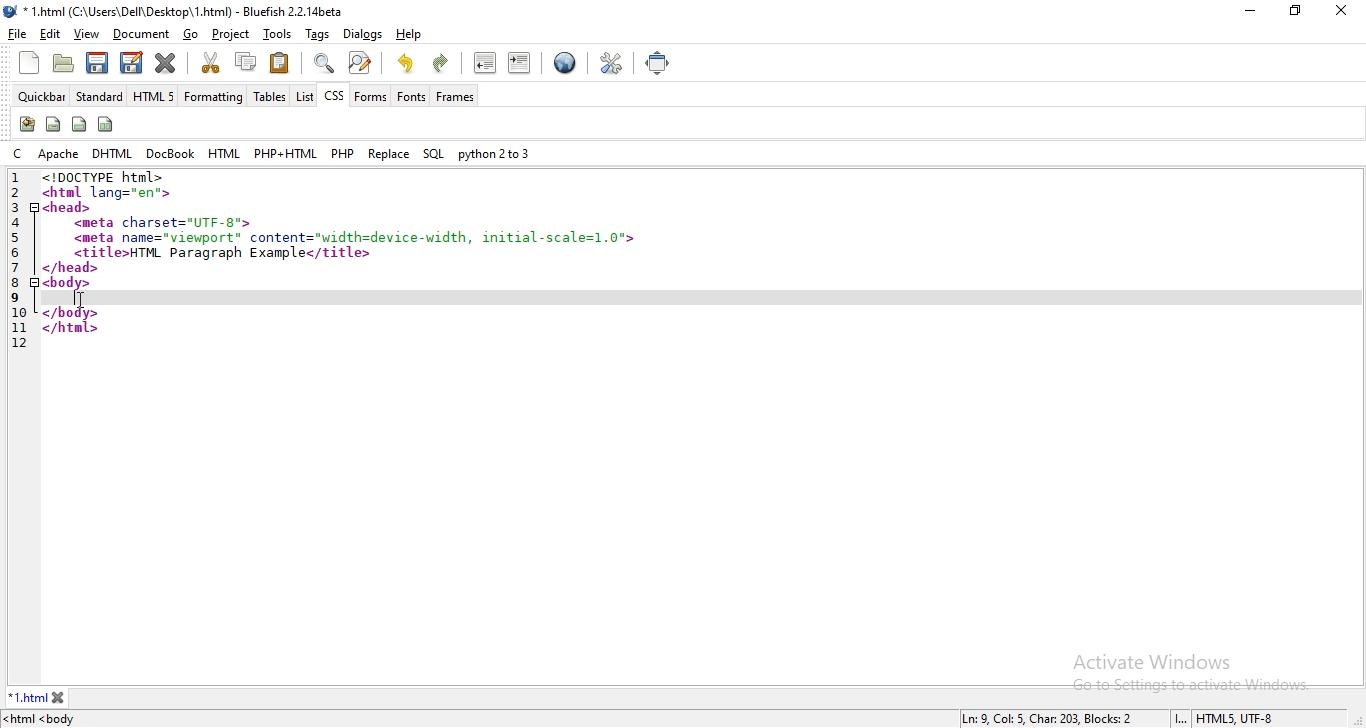 The width and height of the screenshot is (1366, 728). Describe the element at coordinates (166, 64) in the screenshot. I see `close current file` at that location.